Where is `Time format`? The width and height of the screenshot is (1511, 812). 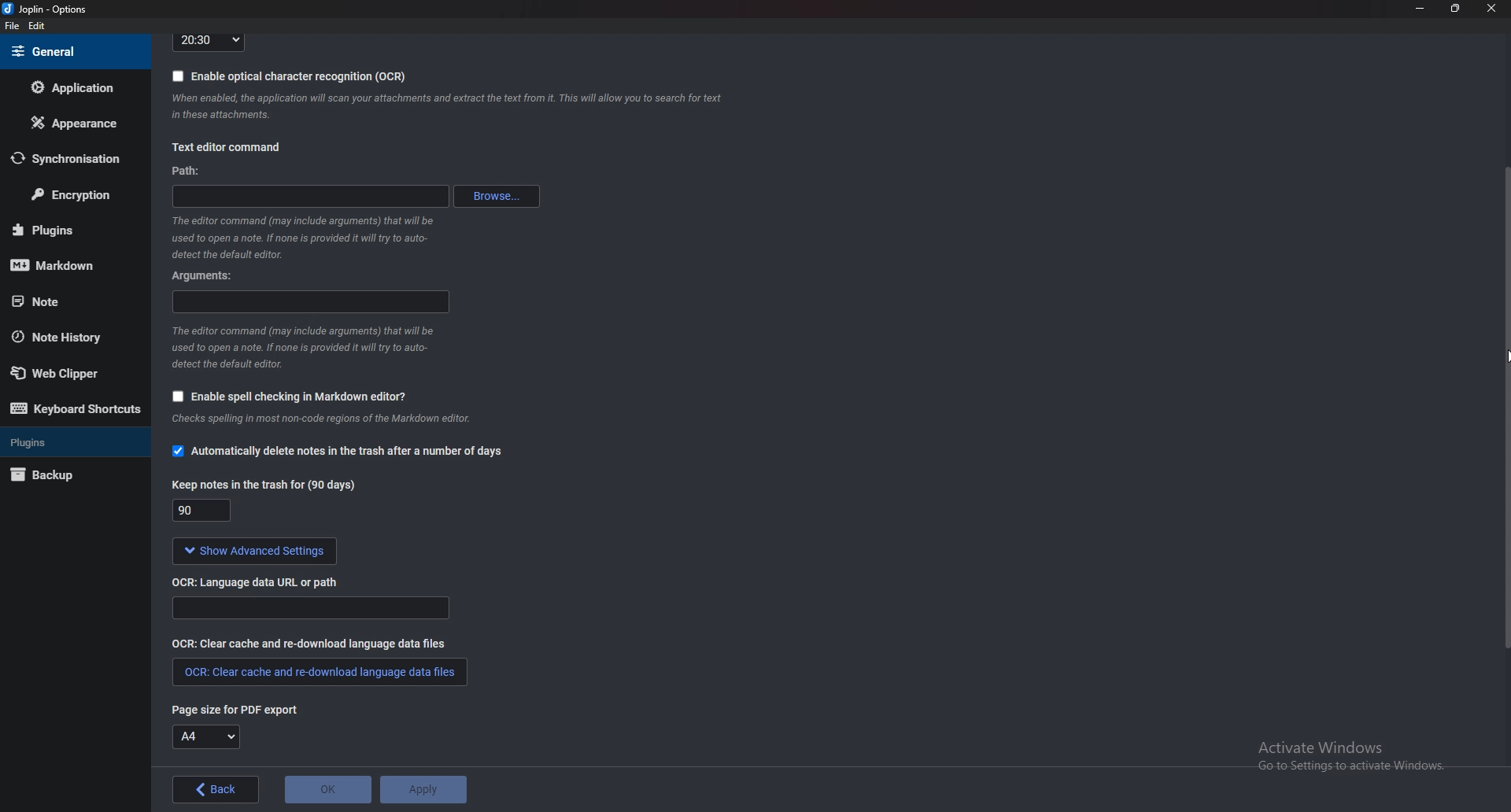 Time format is located at coordinates (209, 41).